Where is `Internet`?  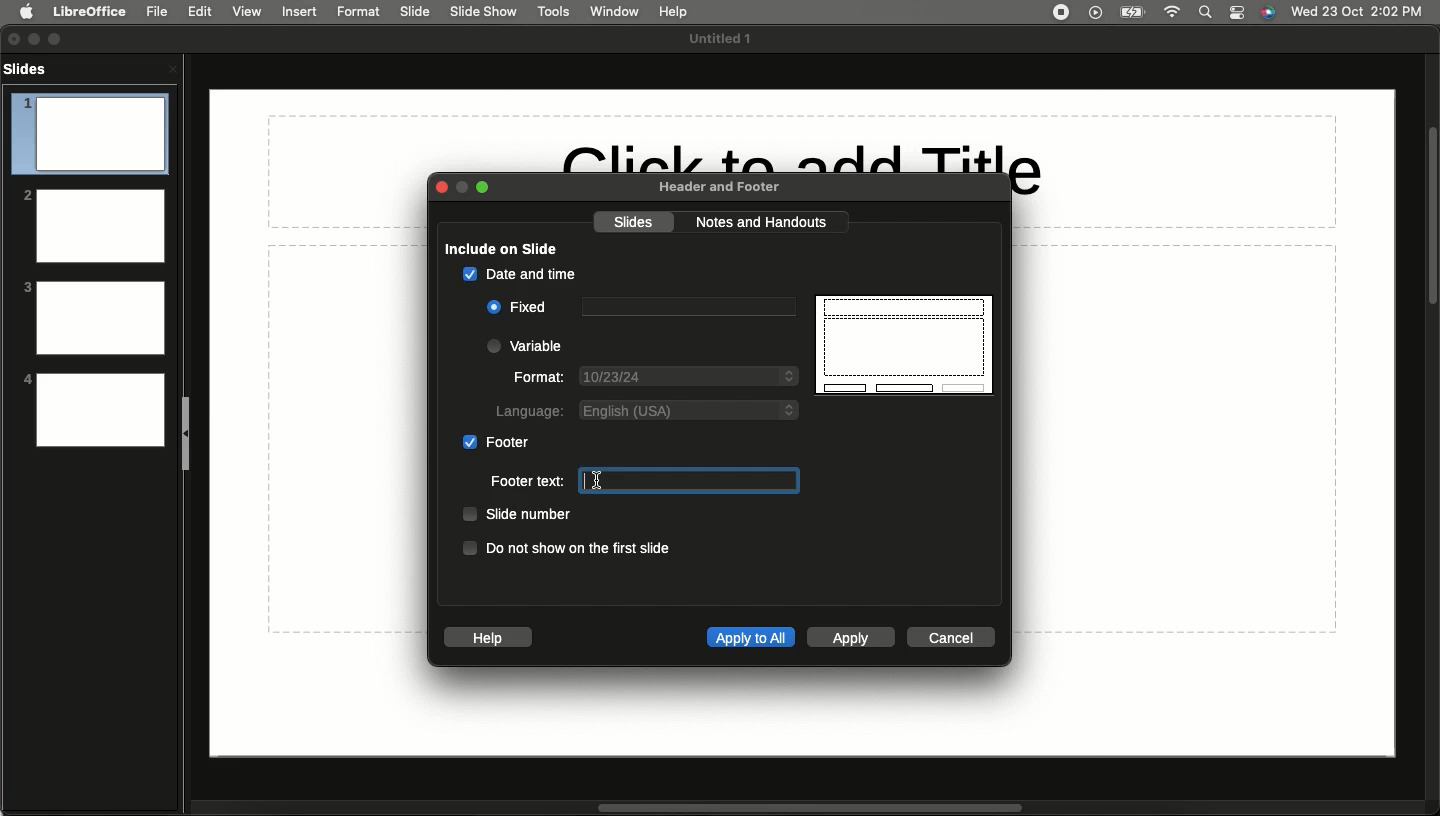 Internet is located at coordinates (1175, 12).